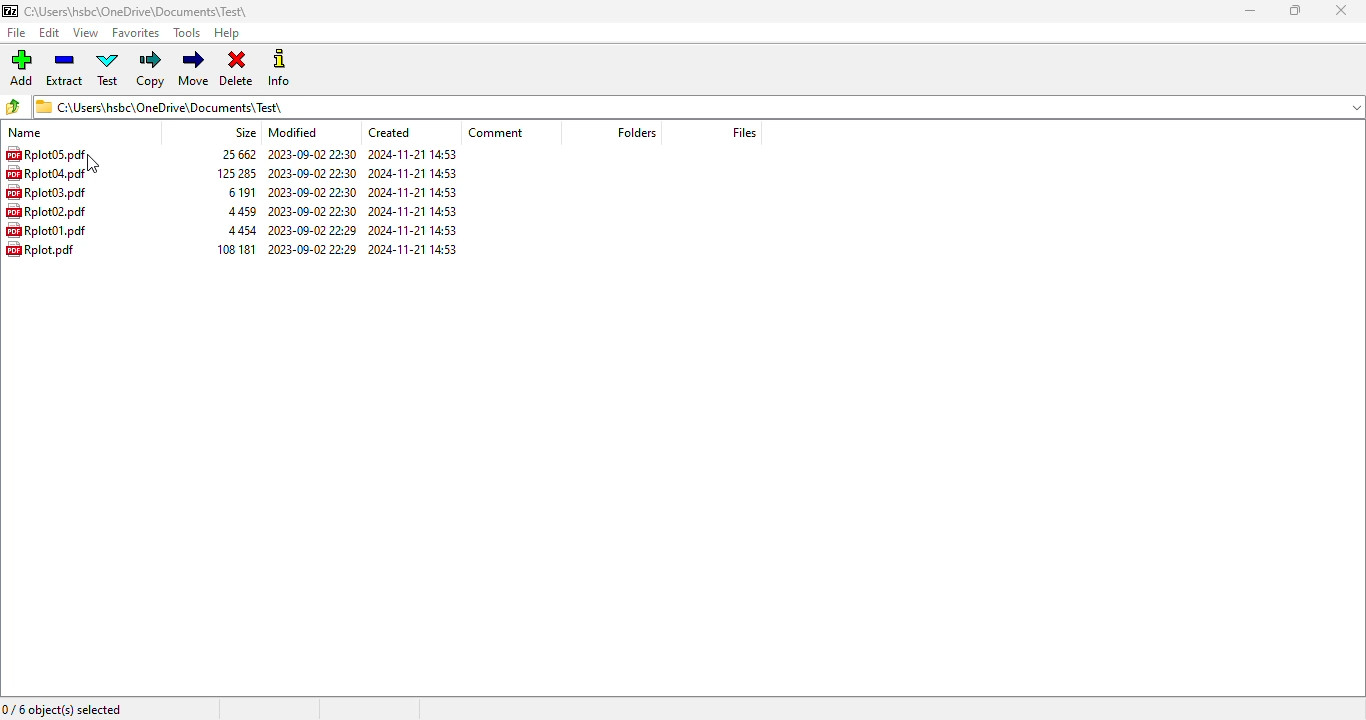  Describe the element at coordinates (314, 211) in the screenshot. I see `modified date & time` at that location.